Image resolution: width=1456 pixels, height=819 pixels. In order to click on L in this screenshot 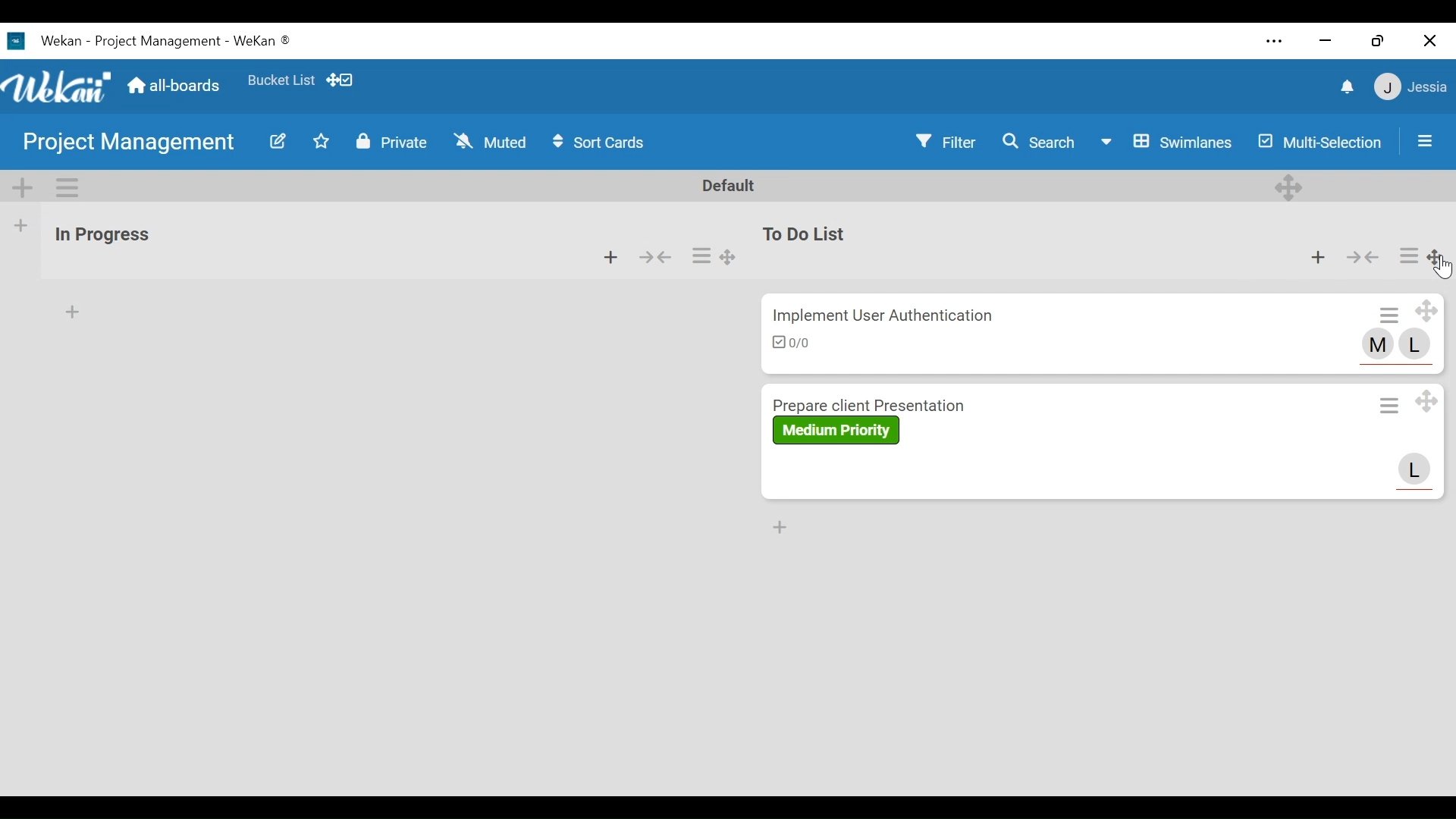, I will do `click(1416, 344)`.